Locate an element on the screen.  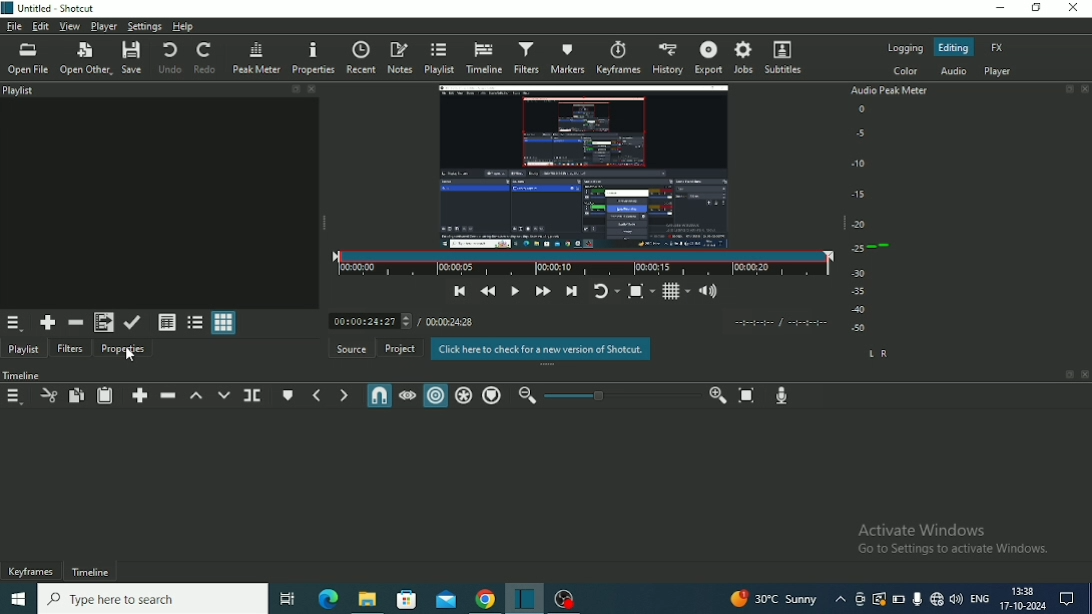
Mail is located at coordinates (445, 600).